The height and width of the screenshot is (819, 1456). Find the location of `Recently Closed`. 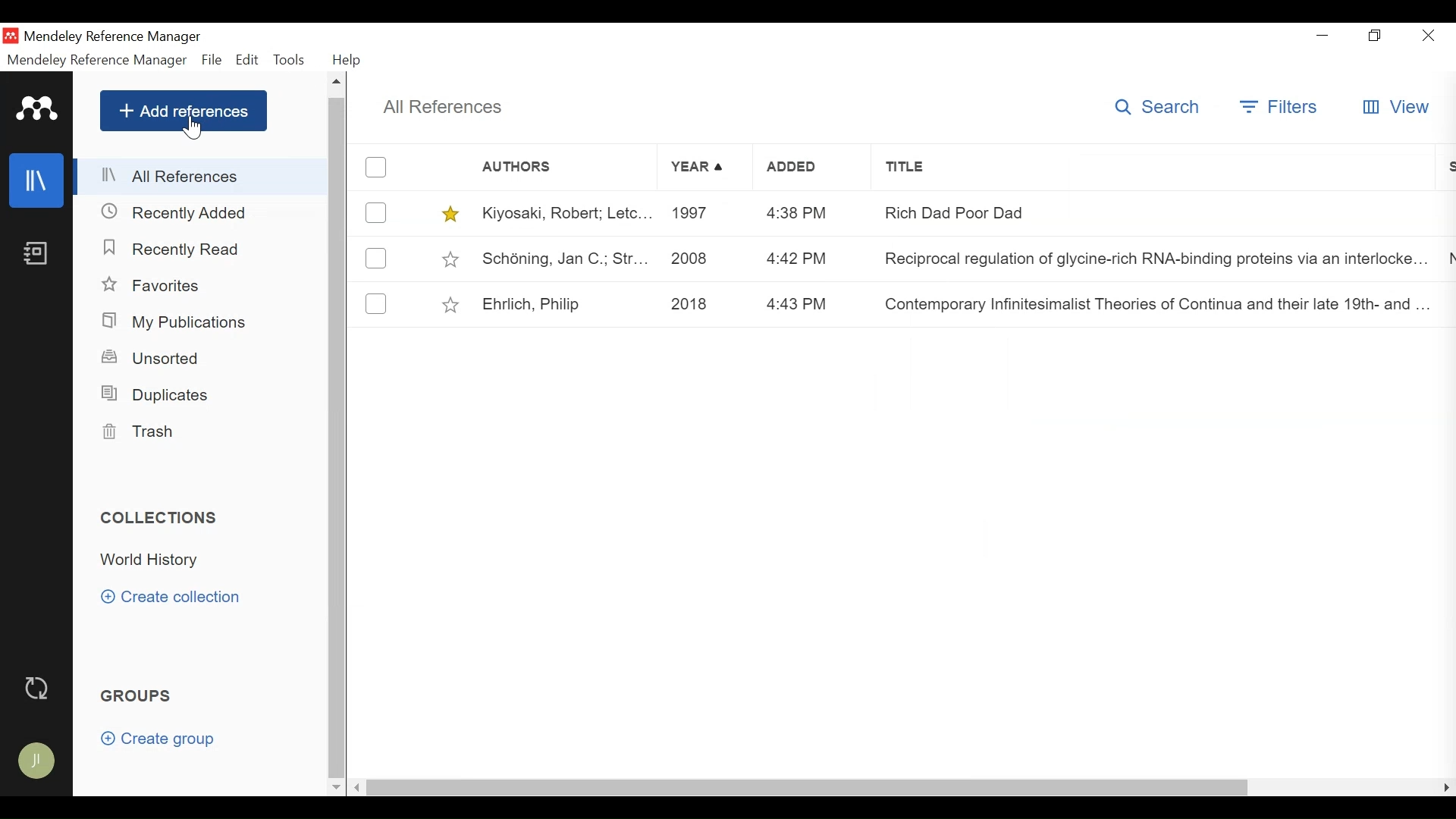

Recently Closed is located at coordinates (175, 213).